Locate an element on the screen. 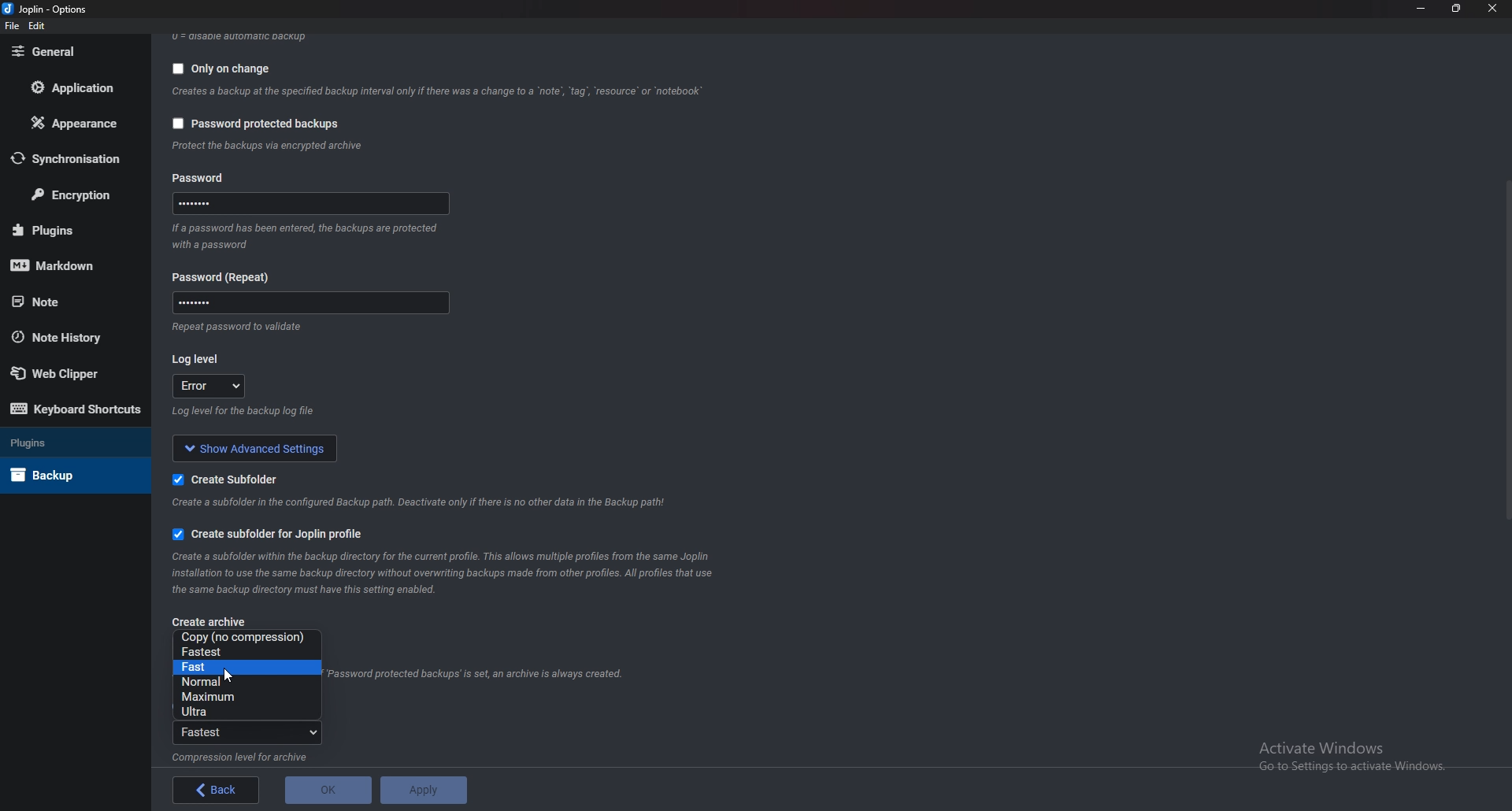 The image size is (1512, 811). Info on log level is located at coordinates (242, 416).